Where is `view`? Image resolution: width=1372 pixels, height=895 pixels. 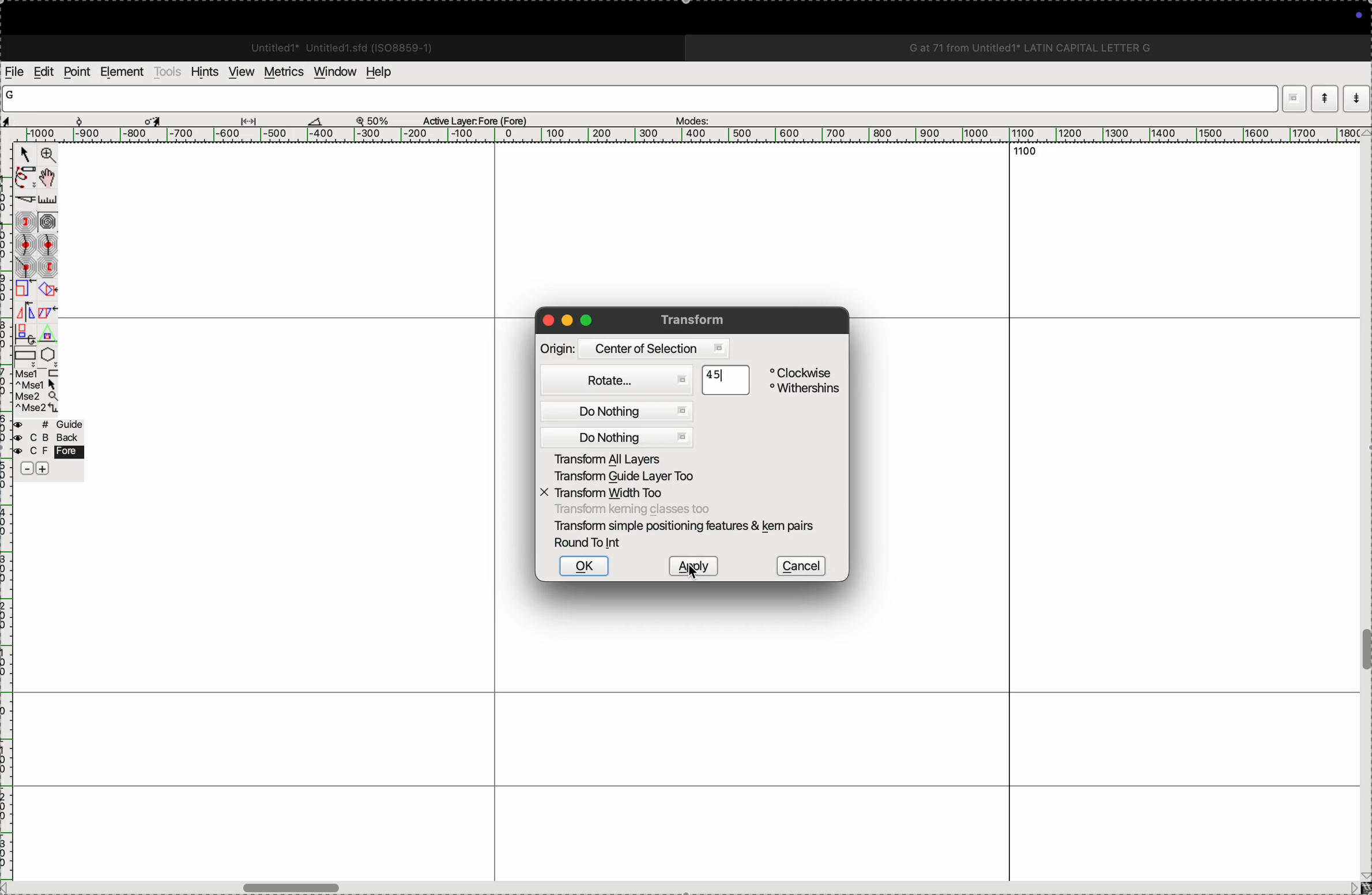 view is located at coordinates (242, 72).